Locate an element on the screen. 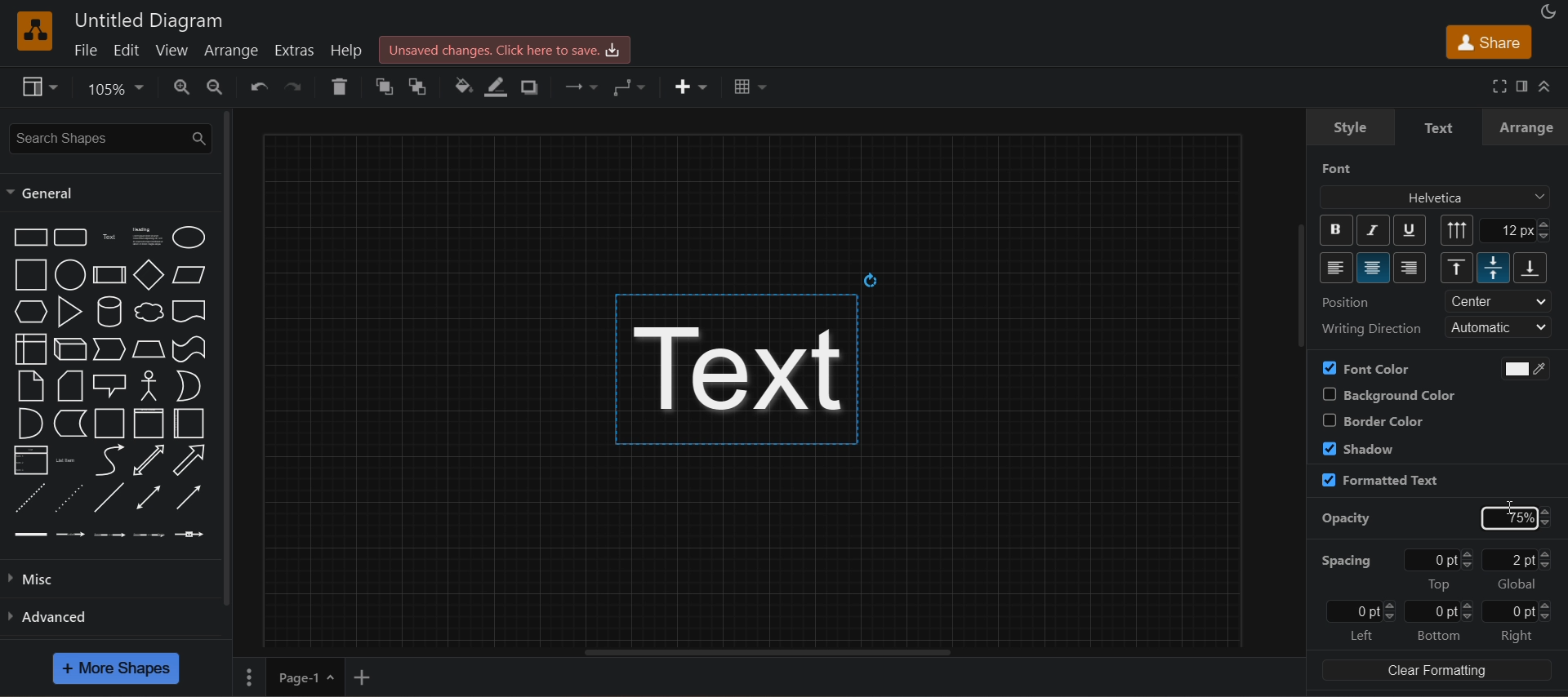 The image size is (1568, 697). italic is located at coordinates (1371, 230).